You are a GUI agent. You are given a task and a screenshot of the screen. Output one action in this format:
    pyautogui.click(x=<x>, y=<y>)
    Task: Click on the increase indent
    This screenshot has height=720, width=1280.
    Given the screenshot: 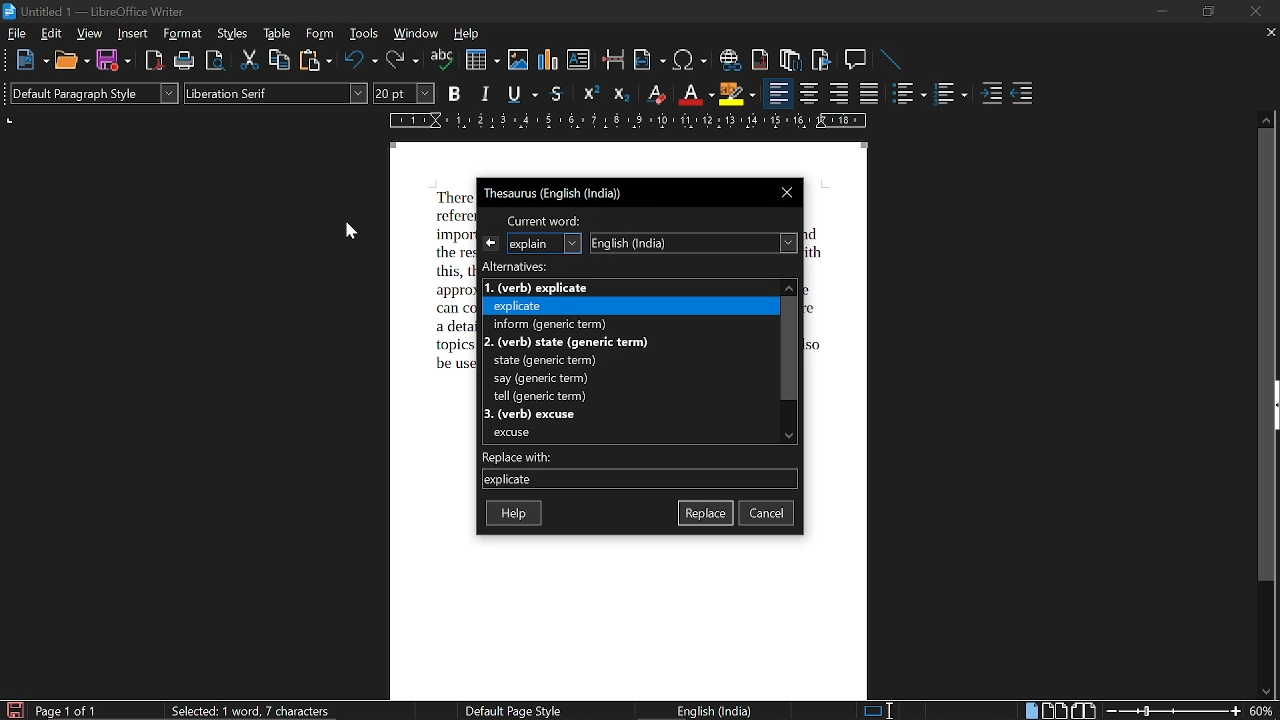 What is the action you would take?
    pyautogui.click(x=994, y=94)
    